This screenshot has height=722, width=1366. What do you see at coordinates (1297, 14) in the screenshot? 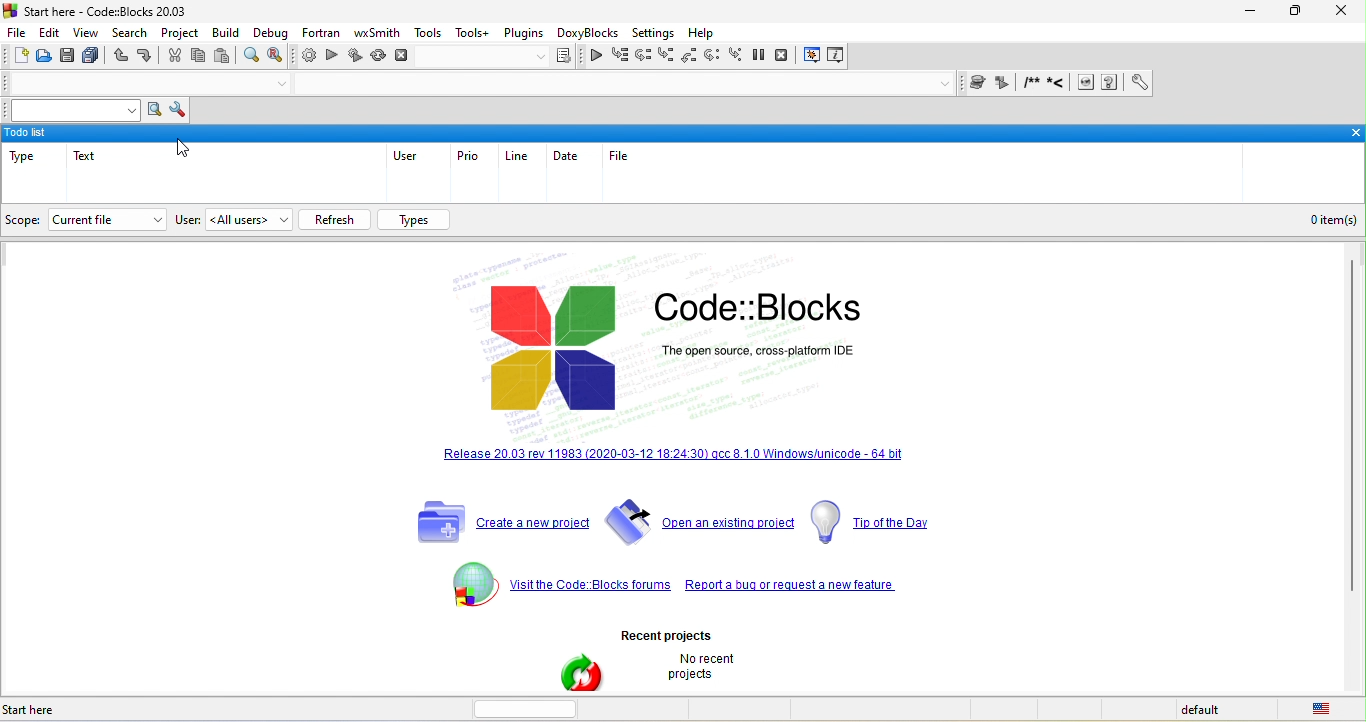
I see `maximize` at bounding box center [1297, 14].